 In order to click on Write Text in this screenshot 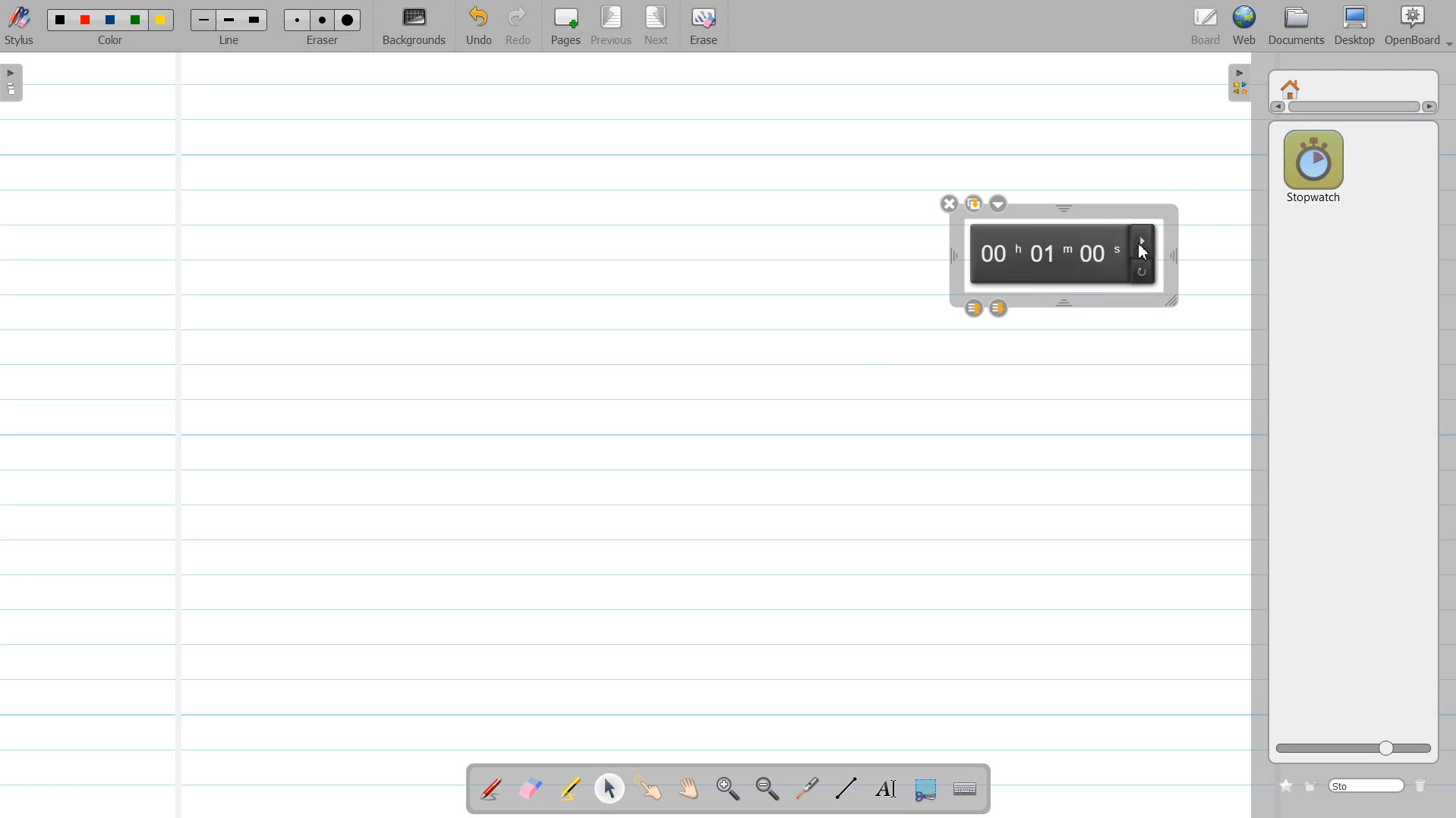, I will do `click(885, 789)`.